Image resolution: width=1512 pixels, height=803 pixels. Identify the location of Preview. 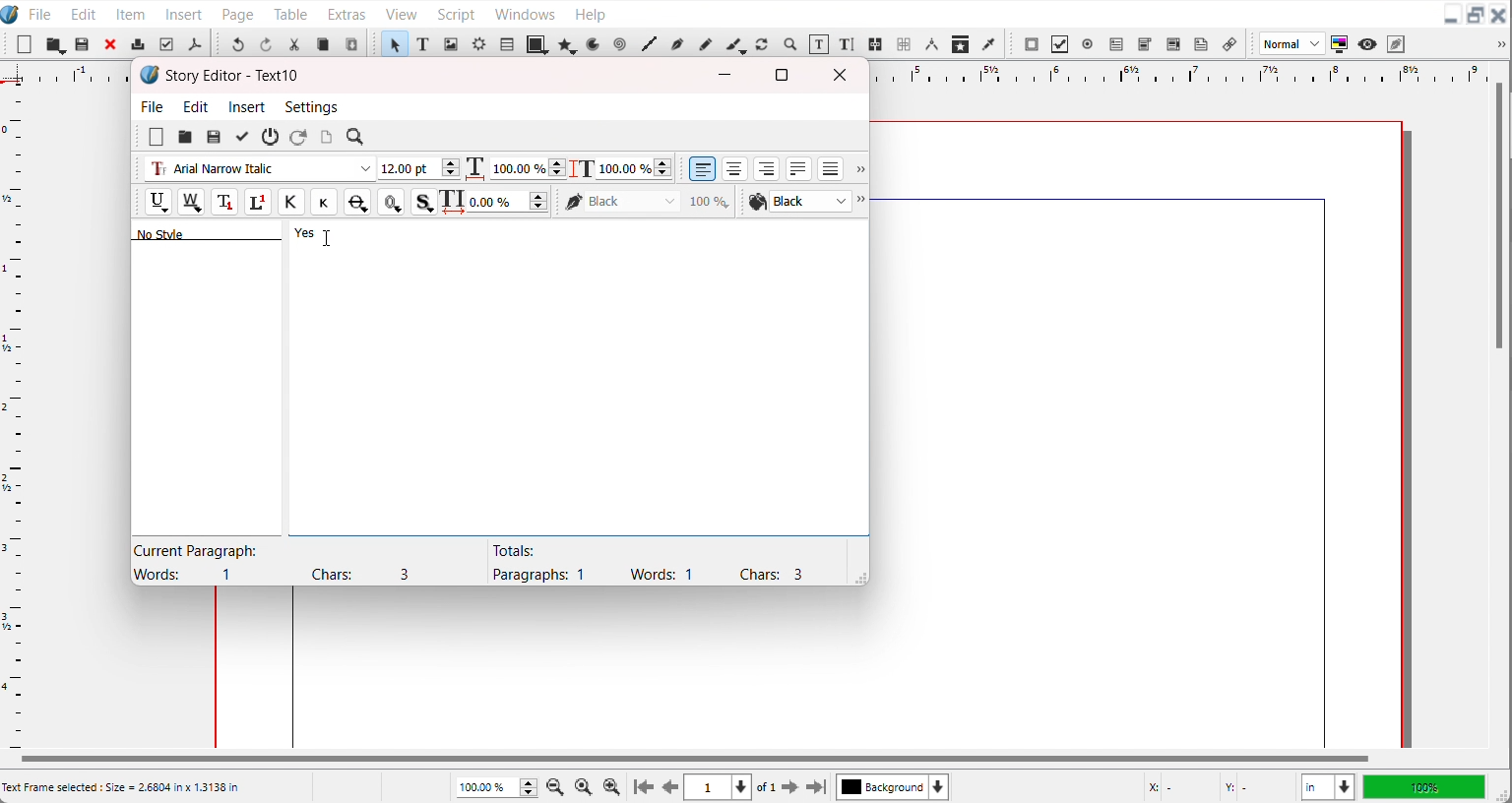
(1368, 44).